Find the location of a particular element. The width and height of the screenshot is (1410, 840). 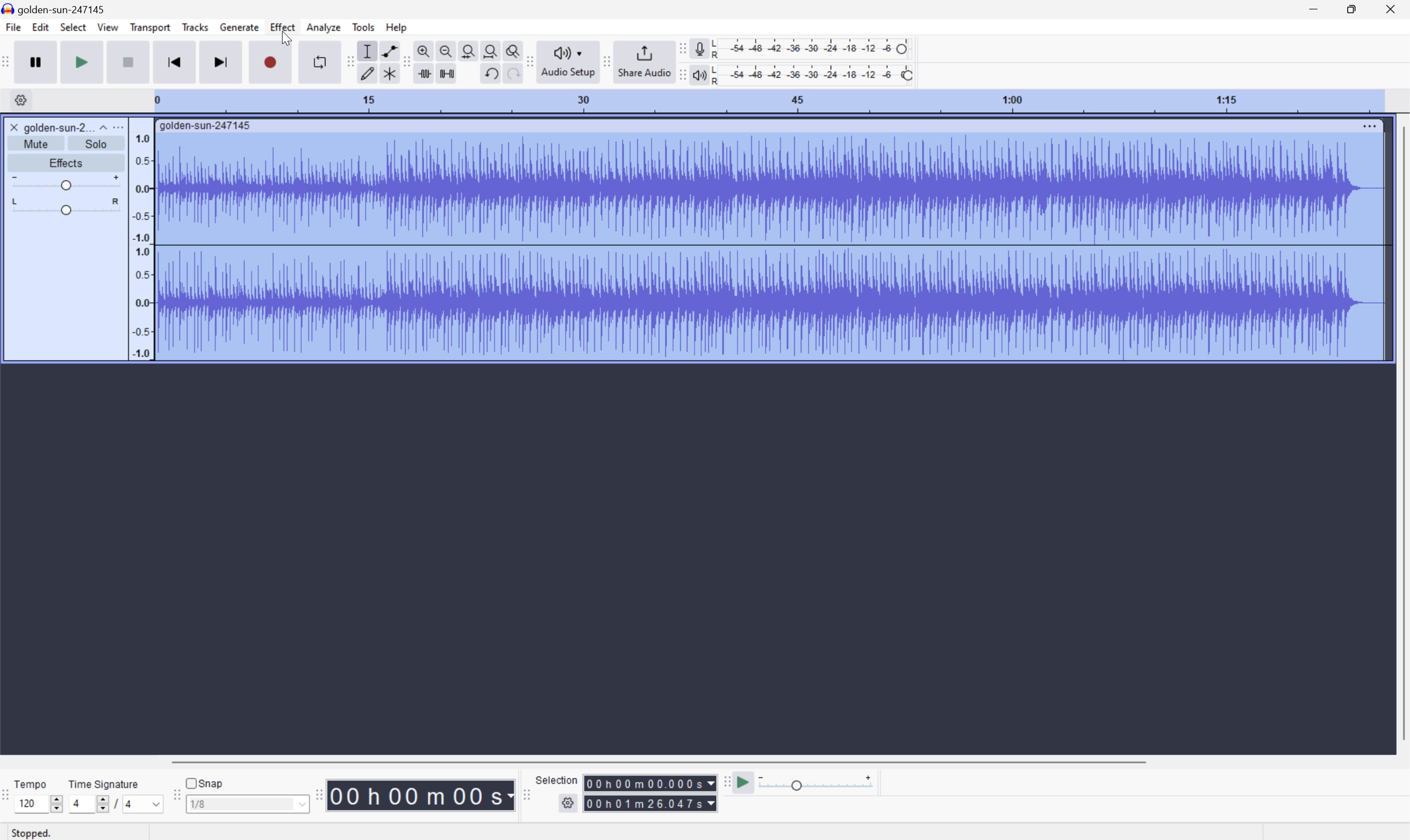

Scroll bar is located at coordinates (665, 760).